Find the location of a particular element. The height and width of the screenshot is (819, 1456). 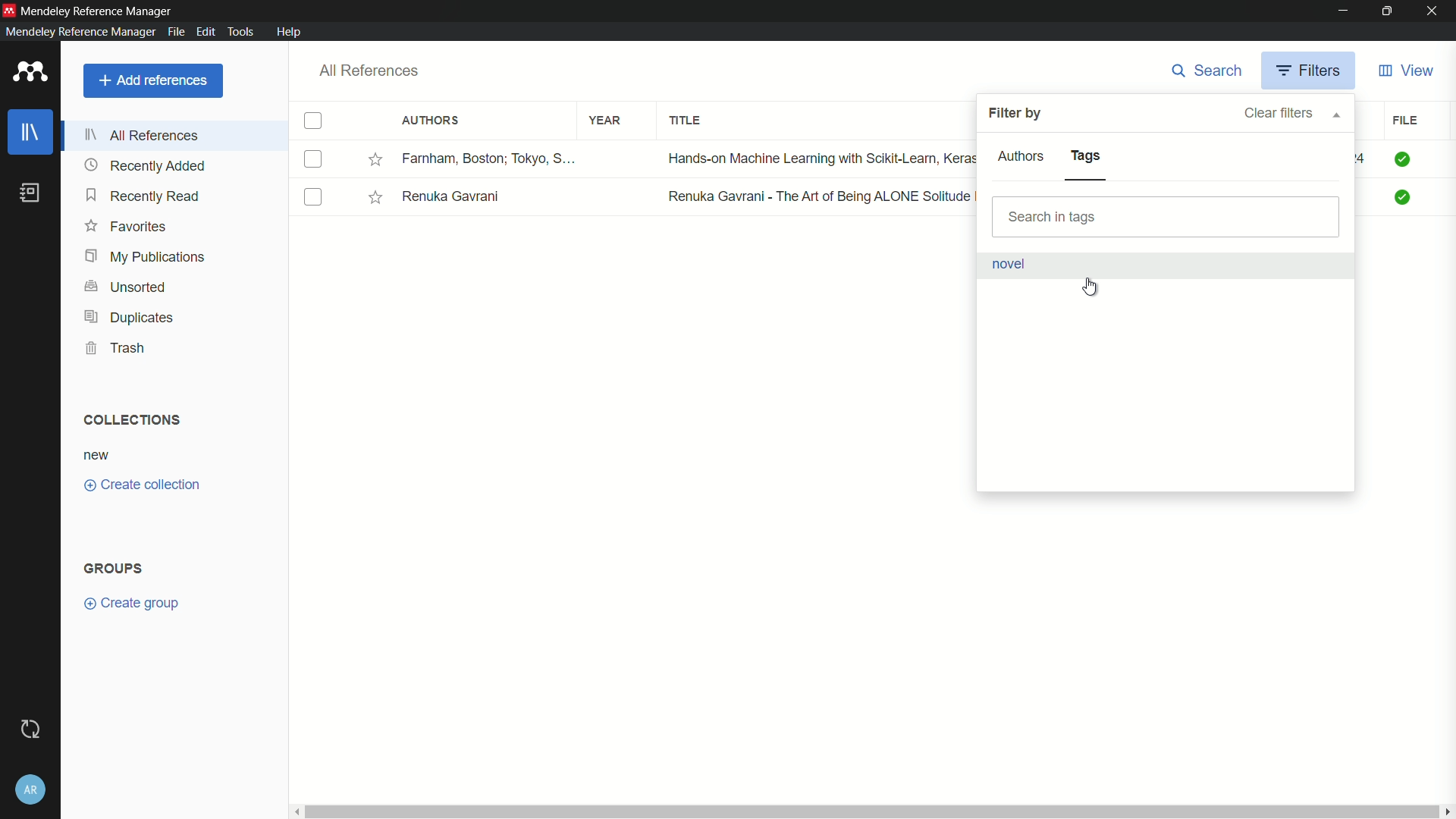

Farnham, Boston; Tokyo, S.... is located at coordinates (491, 158).